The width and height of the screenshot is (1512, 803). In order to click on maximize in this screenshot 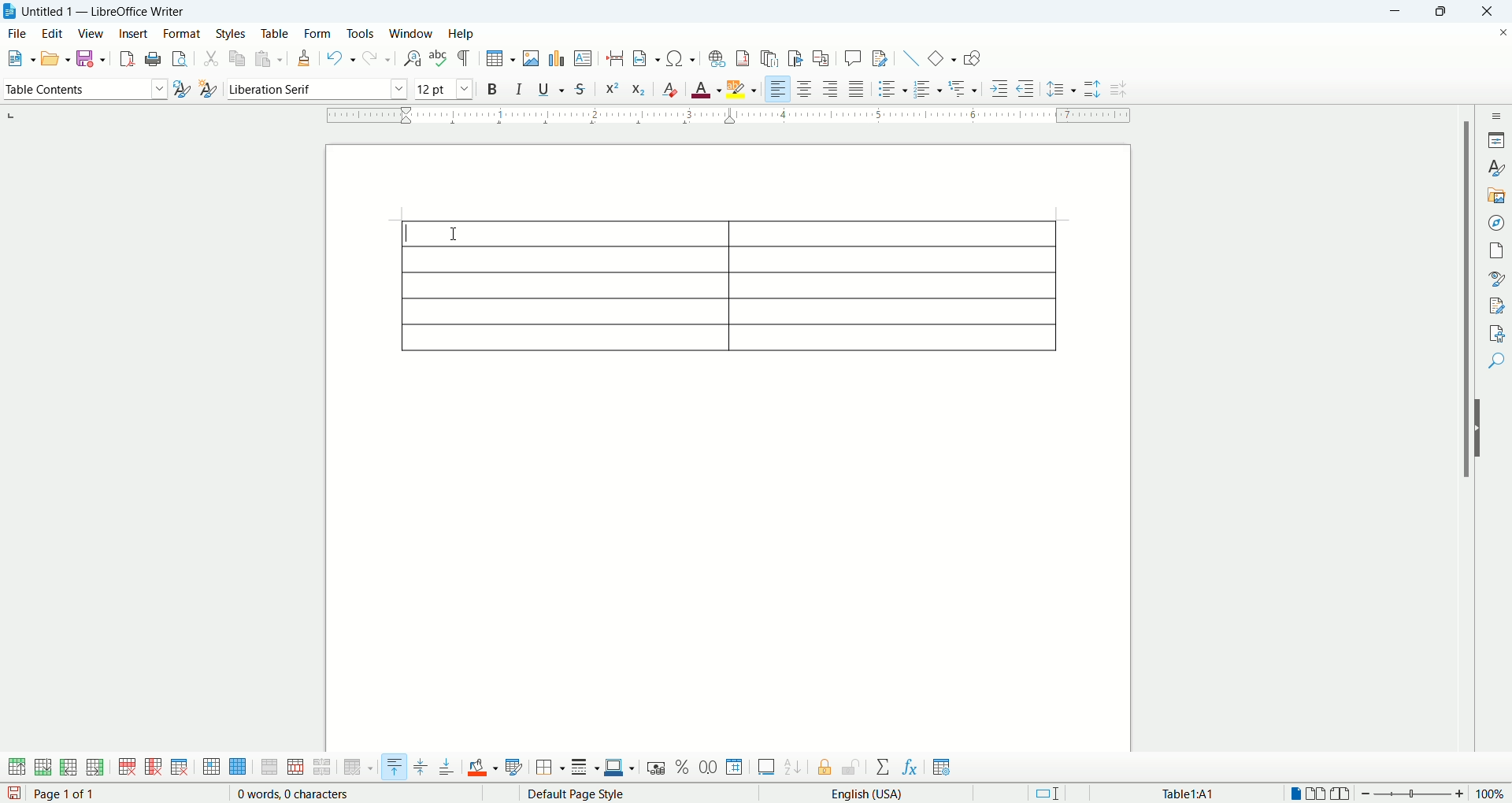, I will do `click(1443, 12)`.